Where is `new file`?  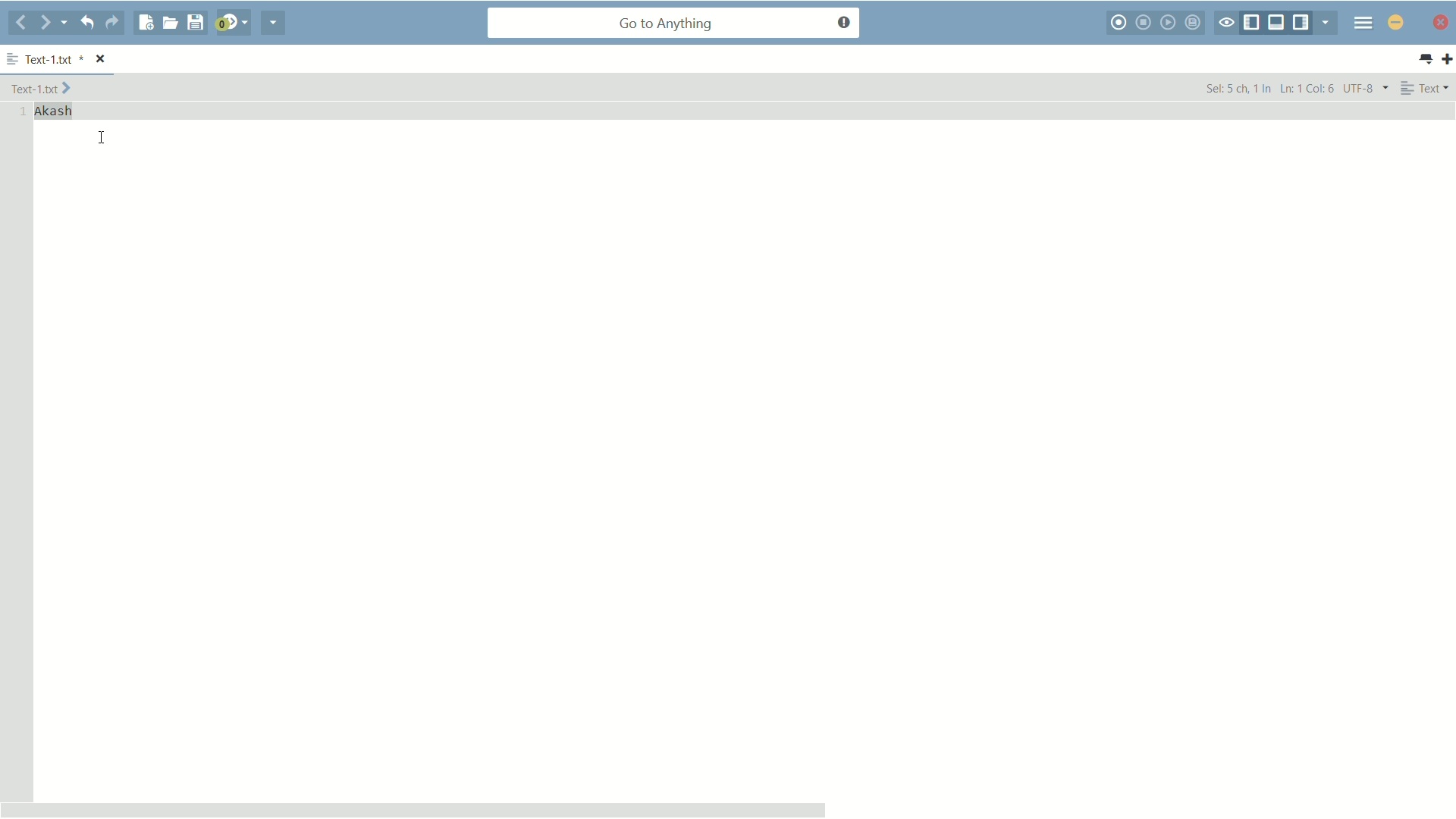 new file is located at coordinates (146, 23).